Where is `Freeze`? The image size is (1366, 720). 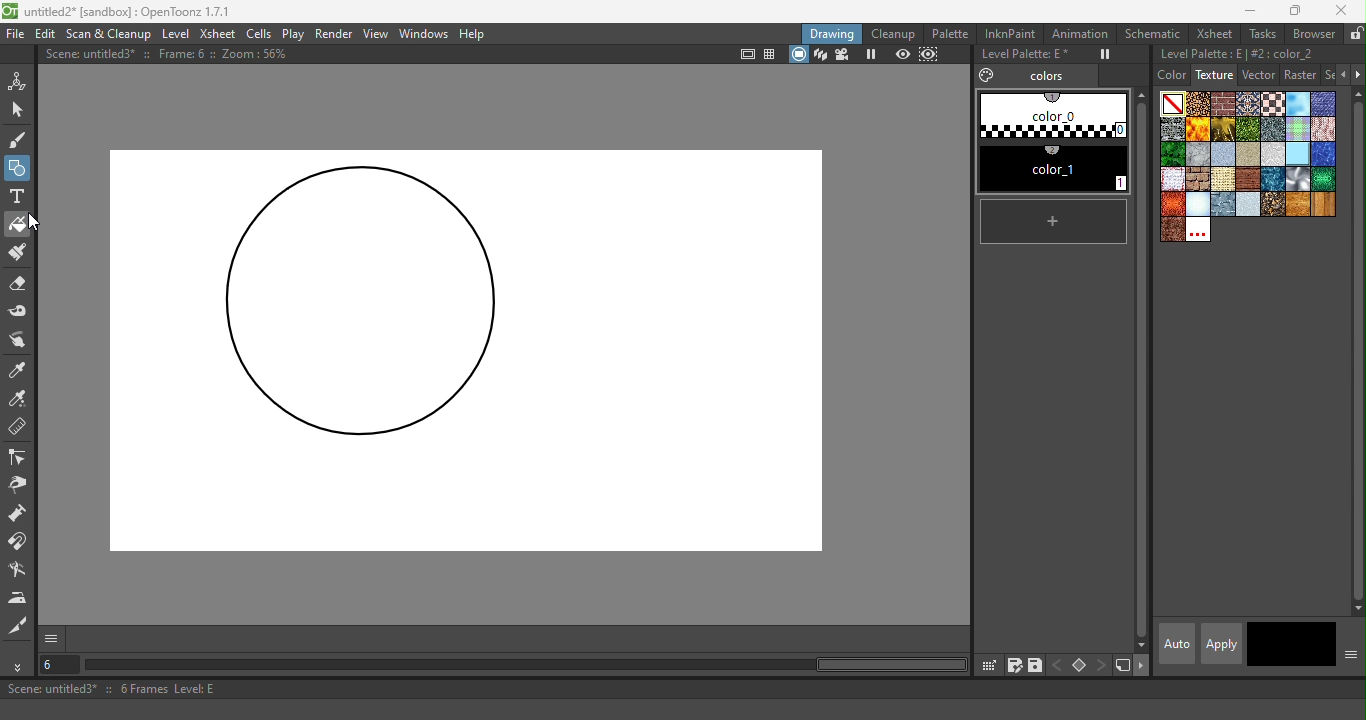
Freeze is located at coordinates (1099, 55).